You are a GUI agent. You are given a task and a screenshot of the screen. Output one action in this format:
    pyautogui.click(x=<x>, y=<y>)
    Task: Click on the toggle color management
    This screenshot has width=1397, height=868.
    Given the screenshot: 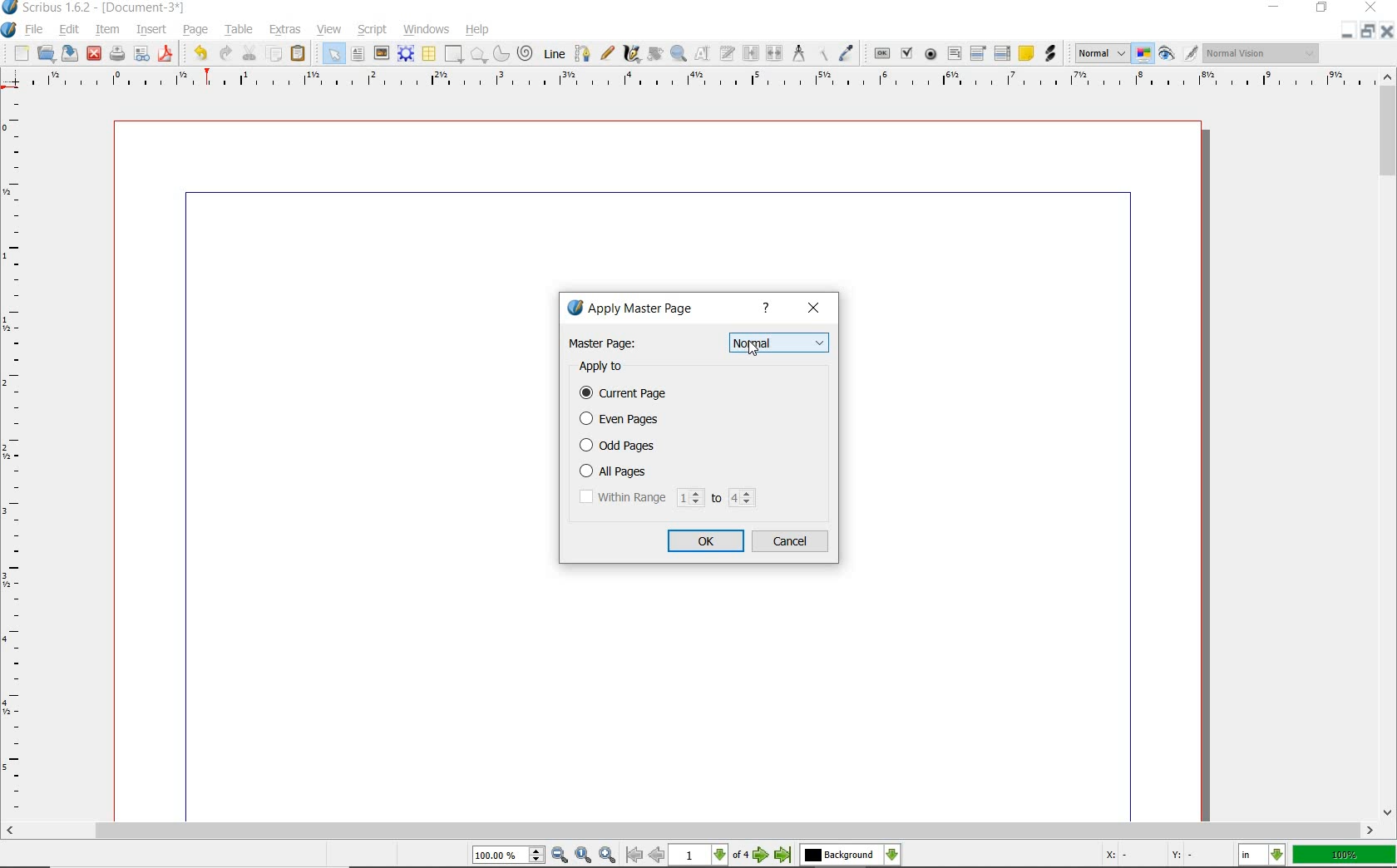 What is the action you would take?
    pyautogui.click(x=1143, y=54)
    